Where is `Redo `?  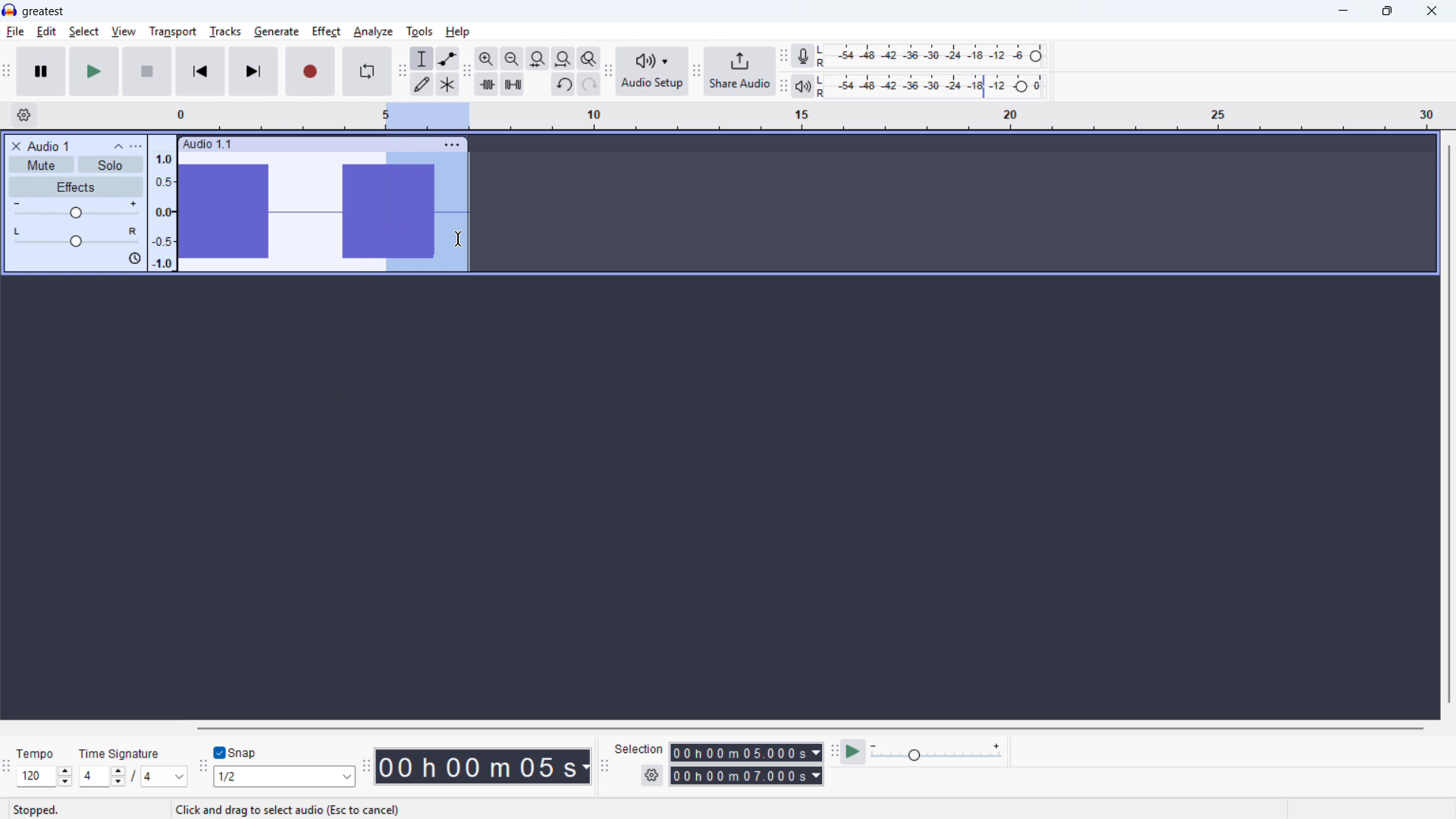 Redo  is located at coordinates (588, 84).